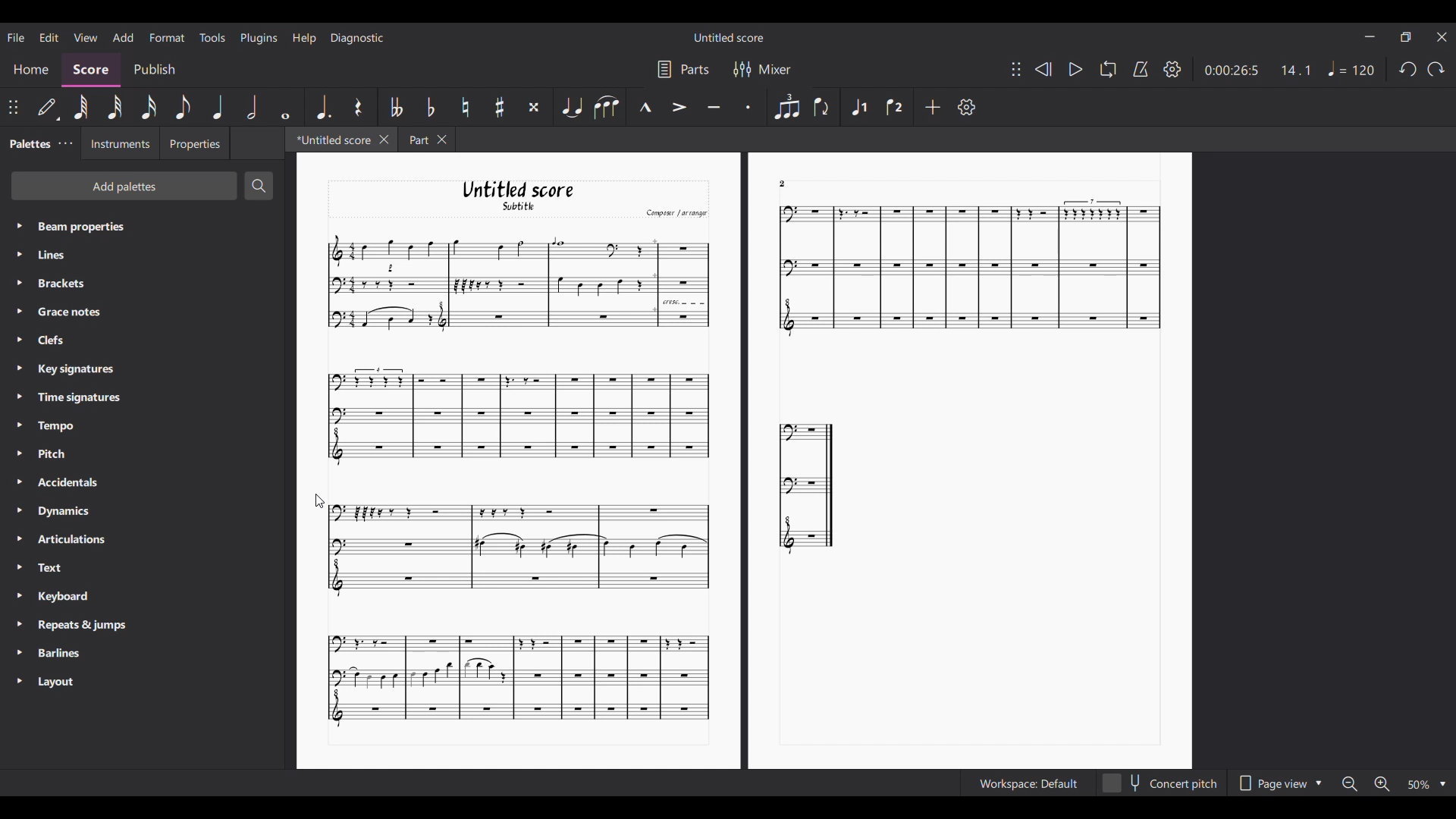 This screenshot has height=819, width=1456. Describe the element at coordinates (1408, 70) in the screenshot. I see `Undo` at that location.